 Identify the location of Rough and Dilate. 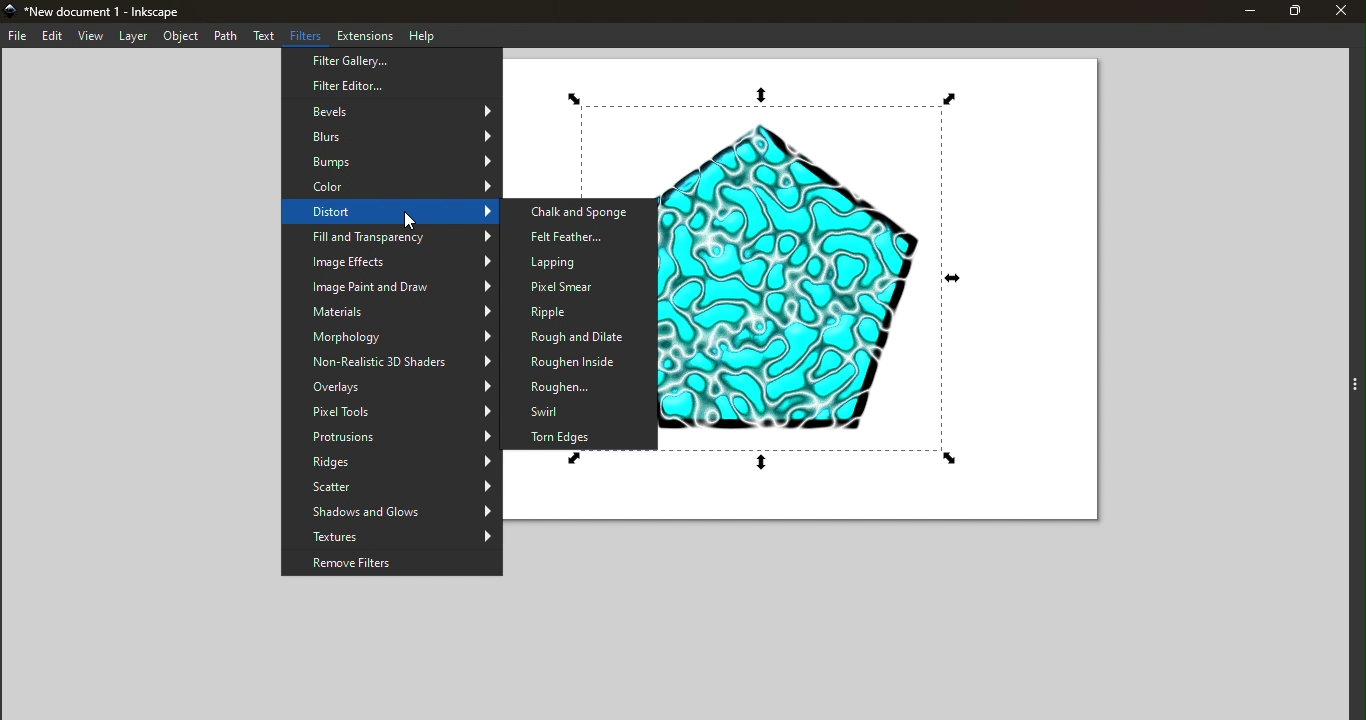
(580, 338).